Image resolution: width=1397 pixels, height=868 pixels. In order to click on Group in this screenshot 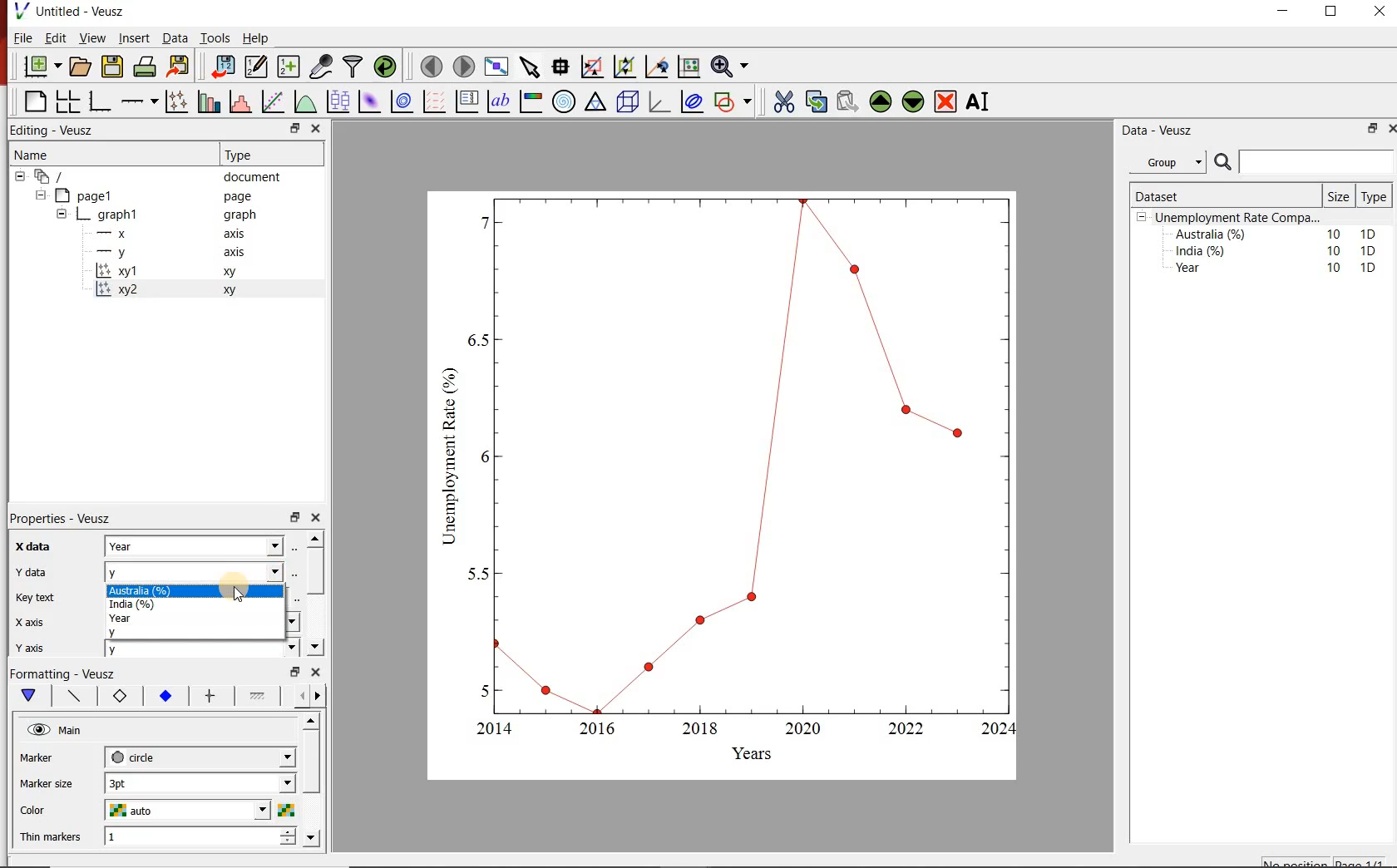, I will do `click(1170, 162)`.